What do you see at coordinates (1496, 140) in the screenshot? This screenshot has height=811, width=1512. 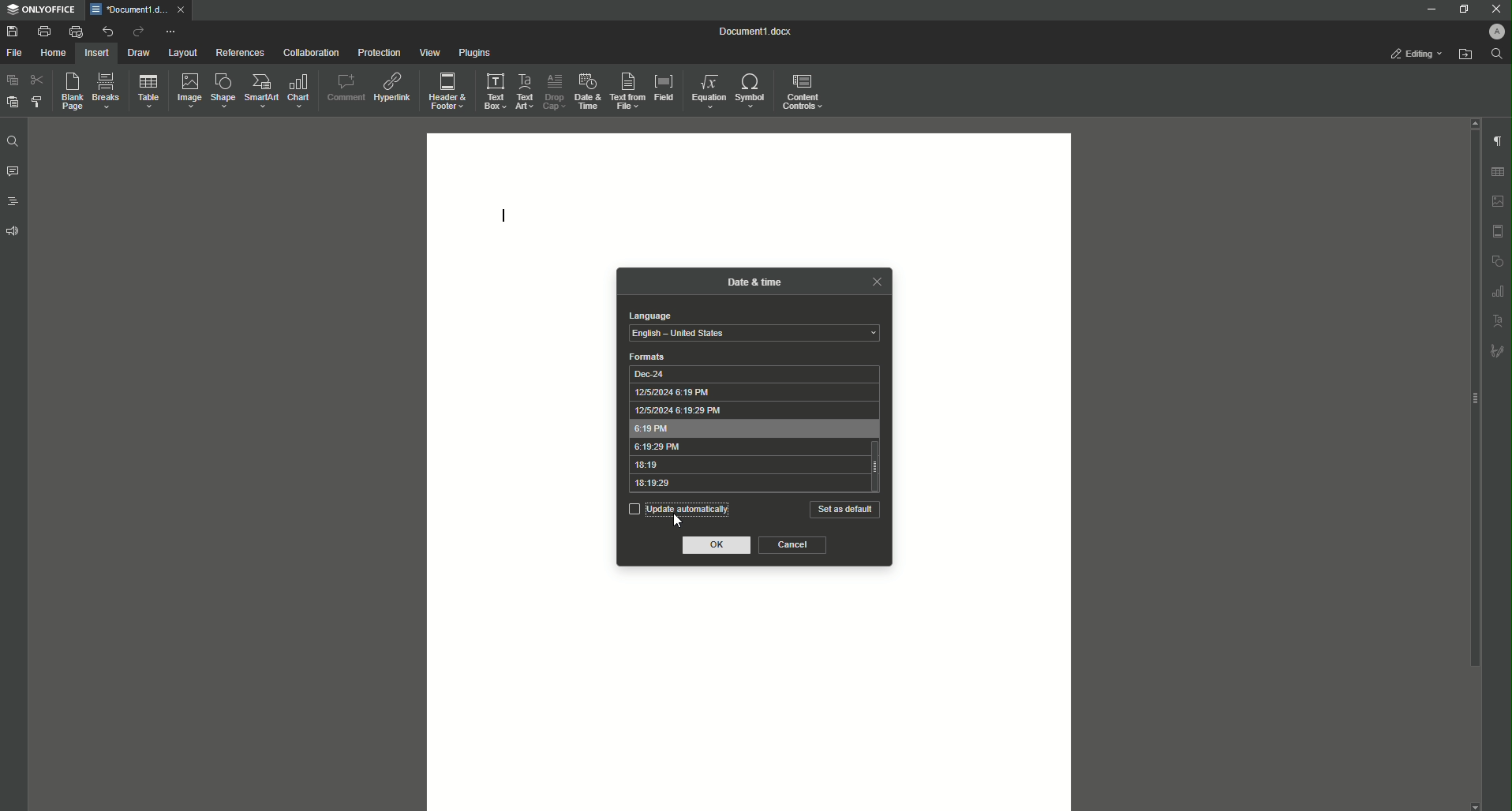 I see `Paragraph Settings` at bounding box center [1496, 140].